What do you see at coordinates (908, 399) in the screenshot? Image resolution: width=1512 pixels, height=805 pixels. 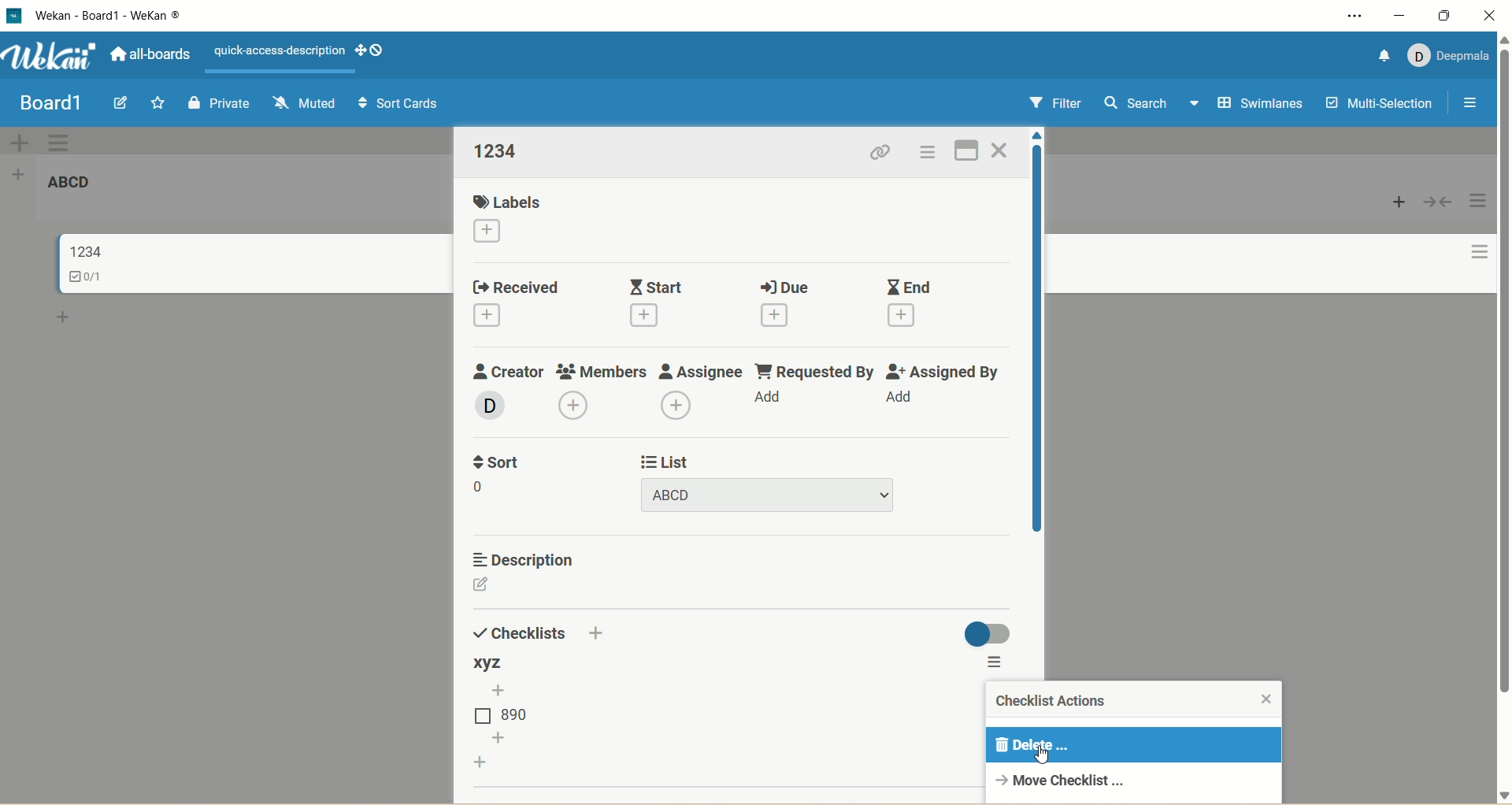 I see `add` at bounding box center [908, 399].